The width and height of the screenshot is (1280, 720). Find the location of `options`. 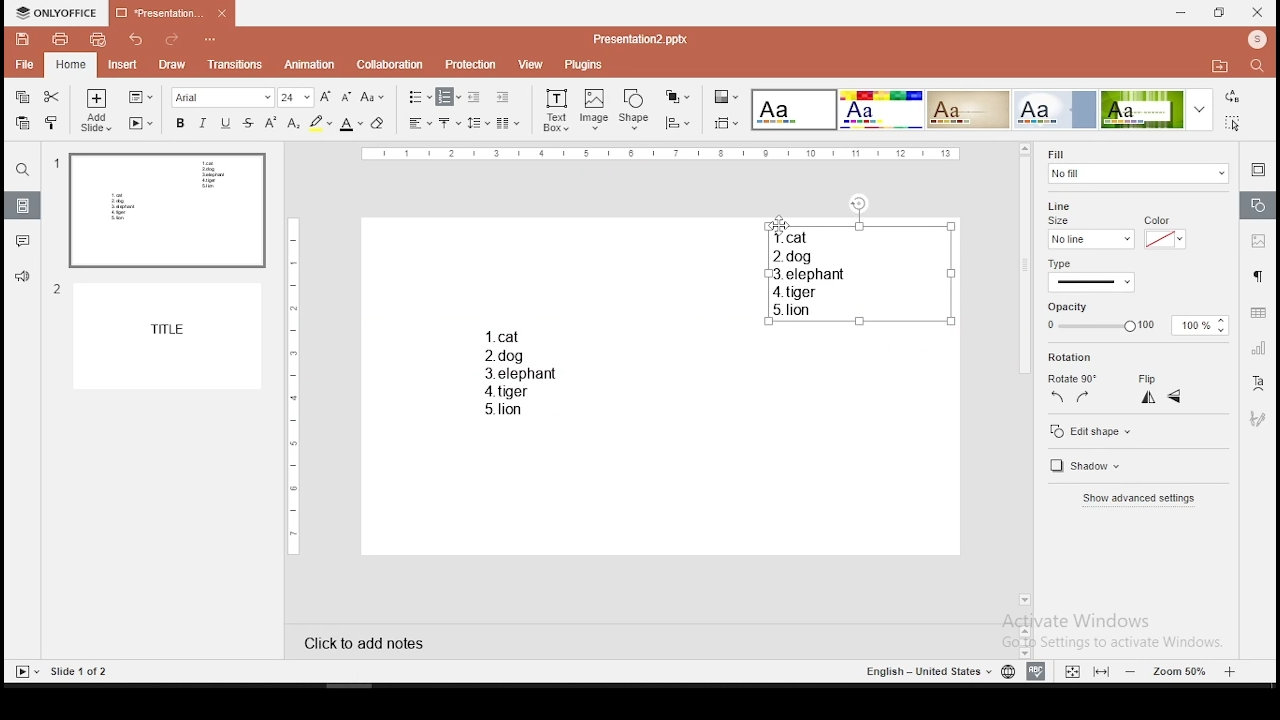

options is located at coordinates (211, 41).